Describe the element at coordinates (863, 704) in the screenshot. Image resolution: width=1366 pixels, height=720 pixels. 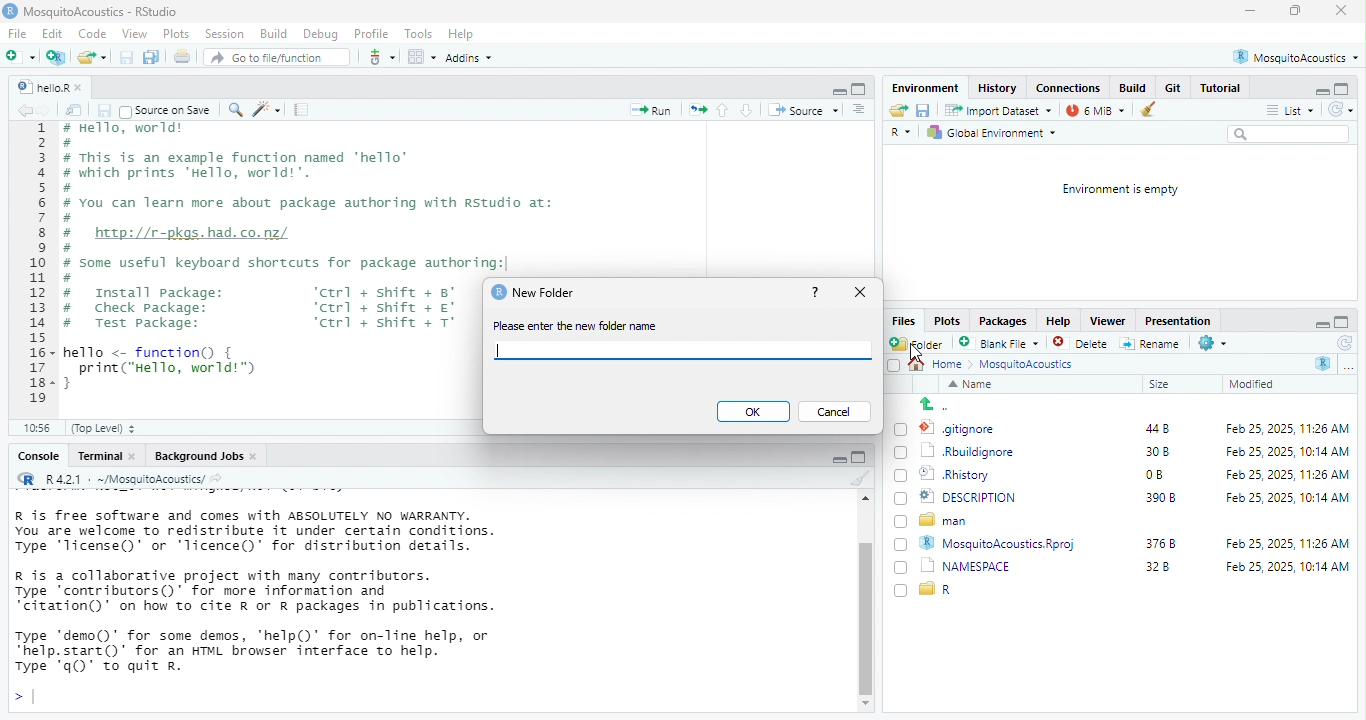
I see `scroll down` at that location.